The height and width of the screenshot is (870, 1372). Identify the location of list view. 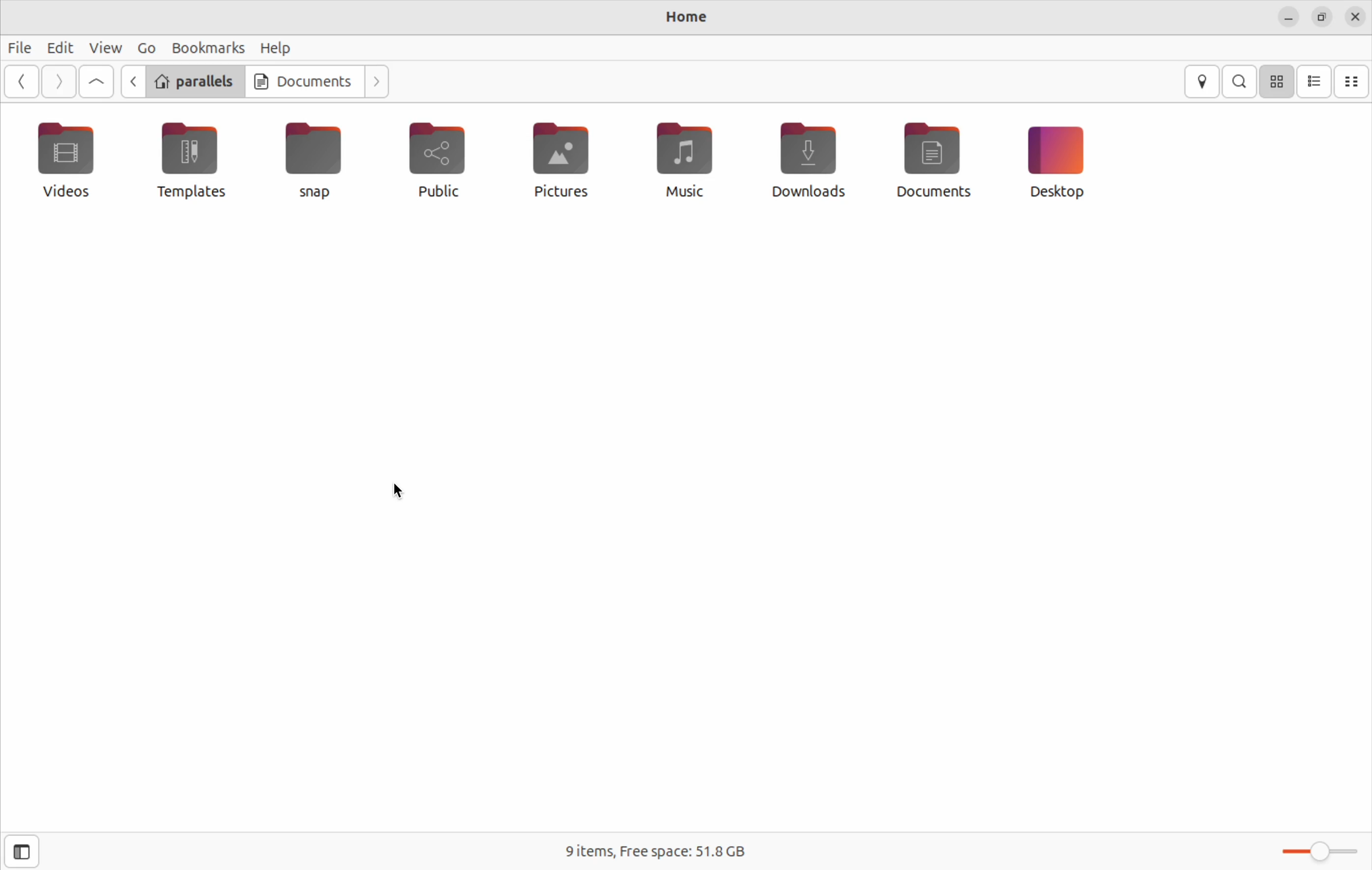
(1314, 82).